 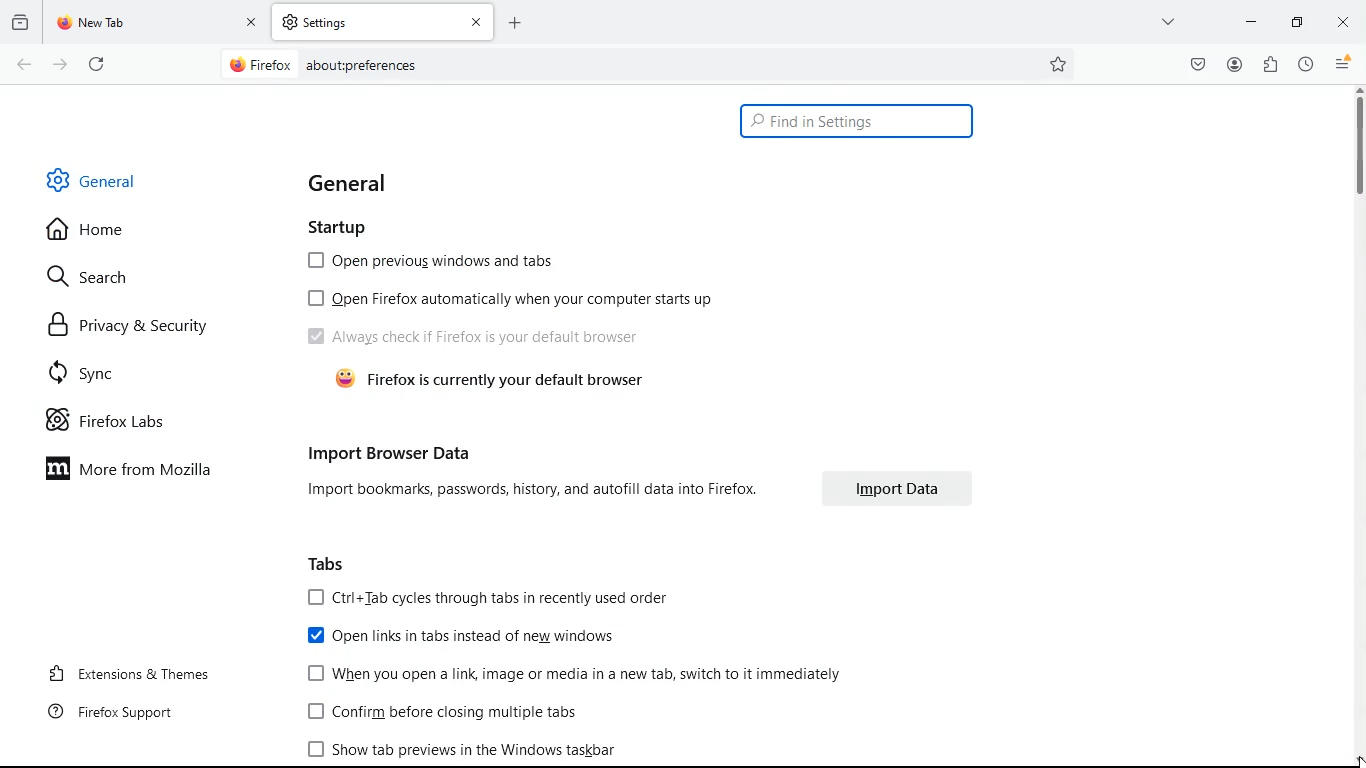 What do you see at coordinates (440, 713) in the screenshot?
I see `[J Confirm before closing multiple tabs` at bounding box center [440, 713].